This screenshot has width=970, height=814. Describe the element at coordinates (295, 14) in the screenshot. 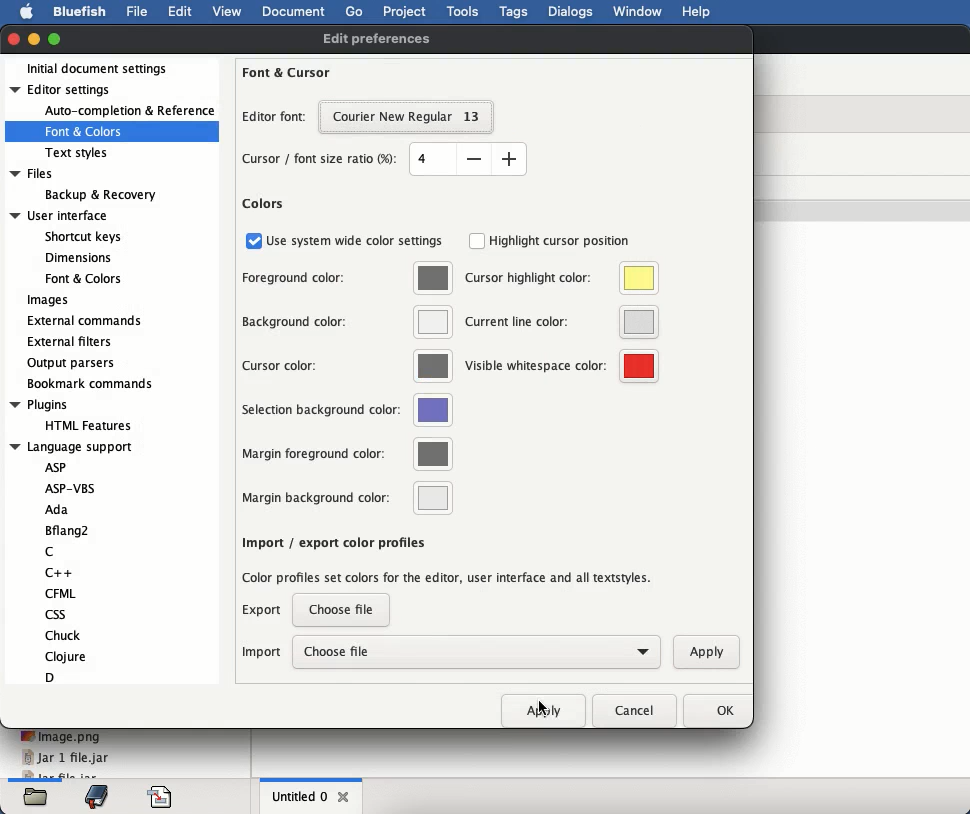

I see `document` at that location.